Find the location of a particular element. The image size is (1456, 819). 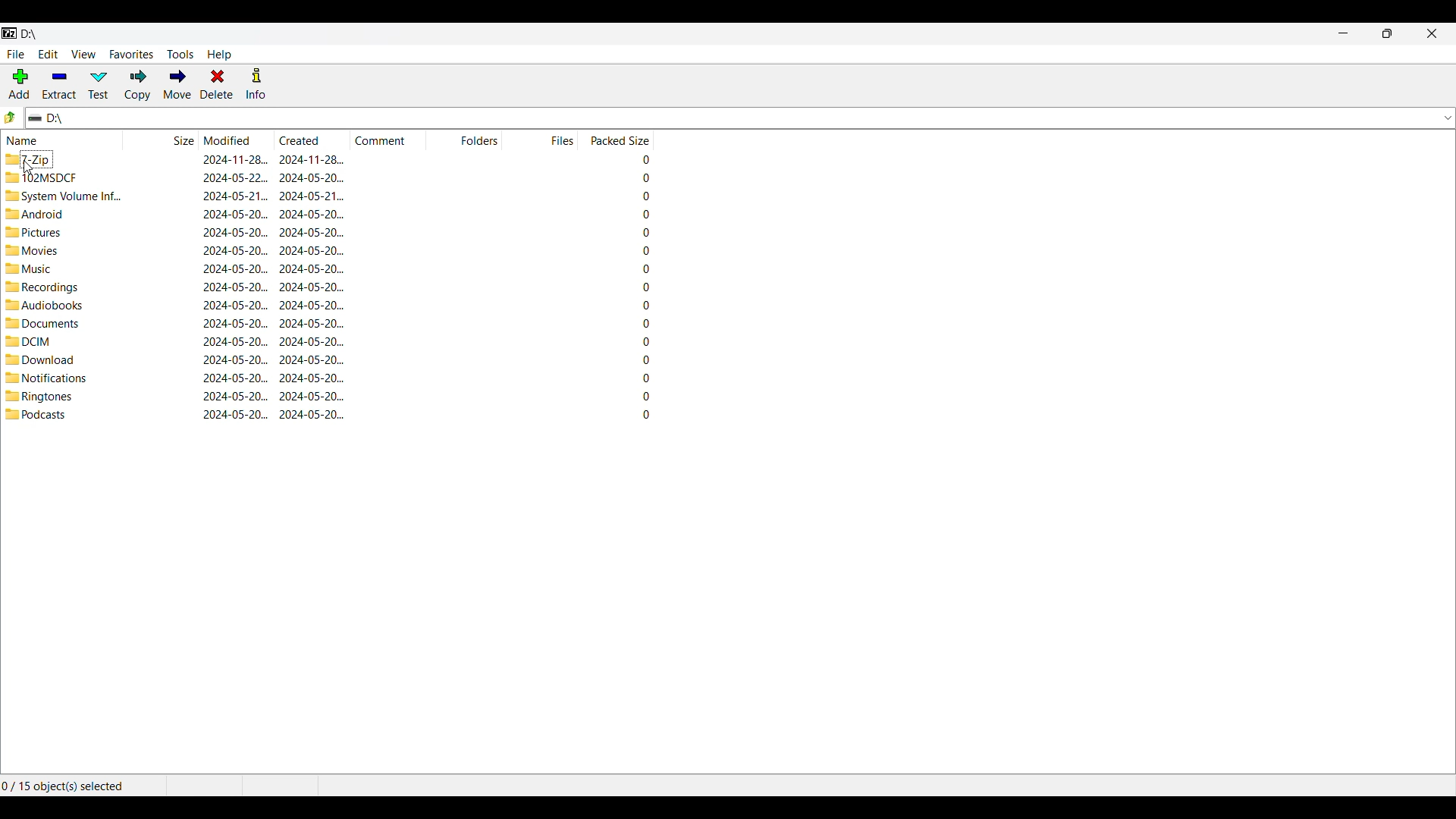

packed size is located at coordinates (642, 305).